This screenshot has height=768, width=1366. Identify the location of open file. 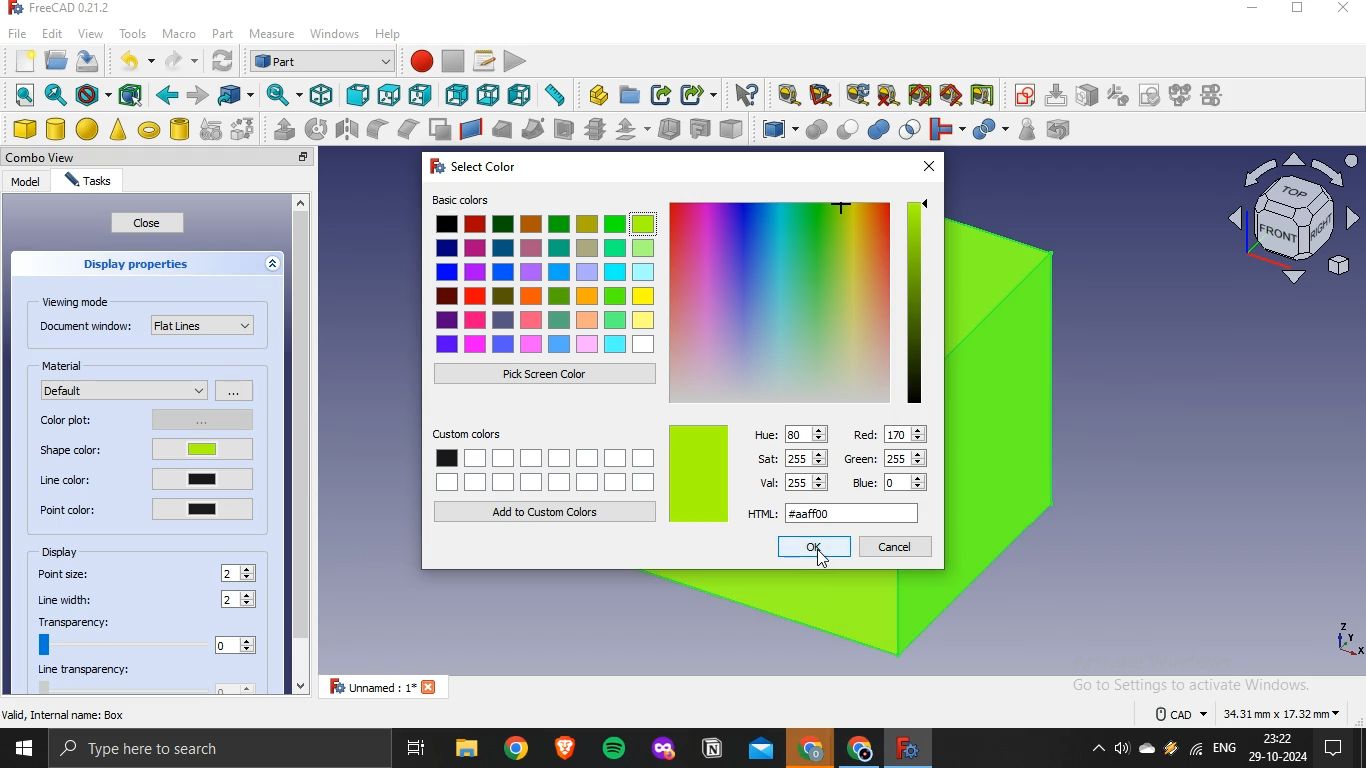
(54, 59).